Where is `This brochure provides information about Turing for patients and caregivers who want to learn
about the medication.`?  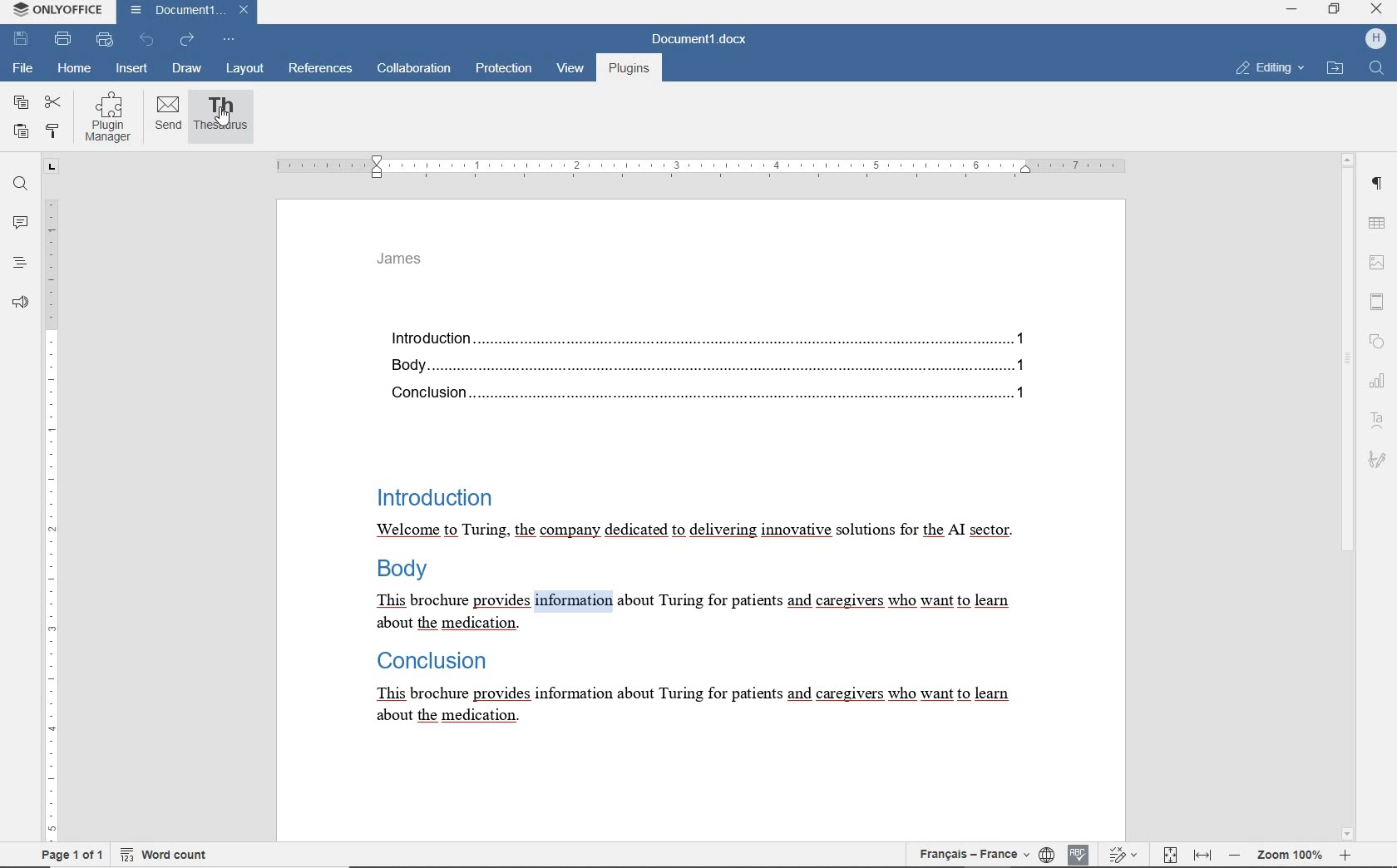 This brochure provides information about Turing for patients and caregivers who want to learn
about the medication. is located at coordinates (689, 615).